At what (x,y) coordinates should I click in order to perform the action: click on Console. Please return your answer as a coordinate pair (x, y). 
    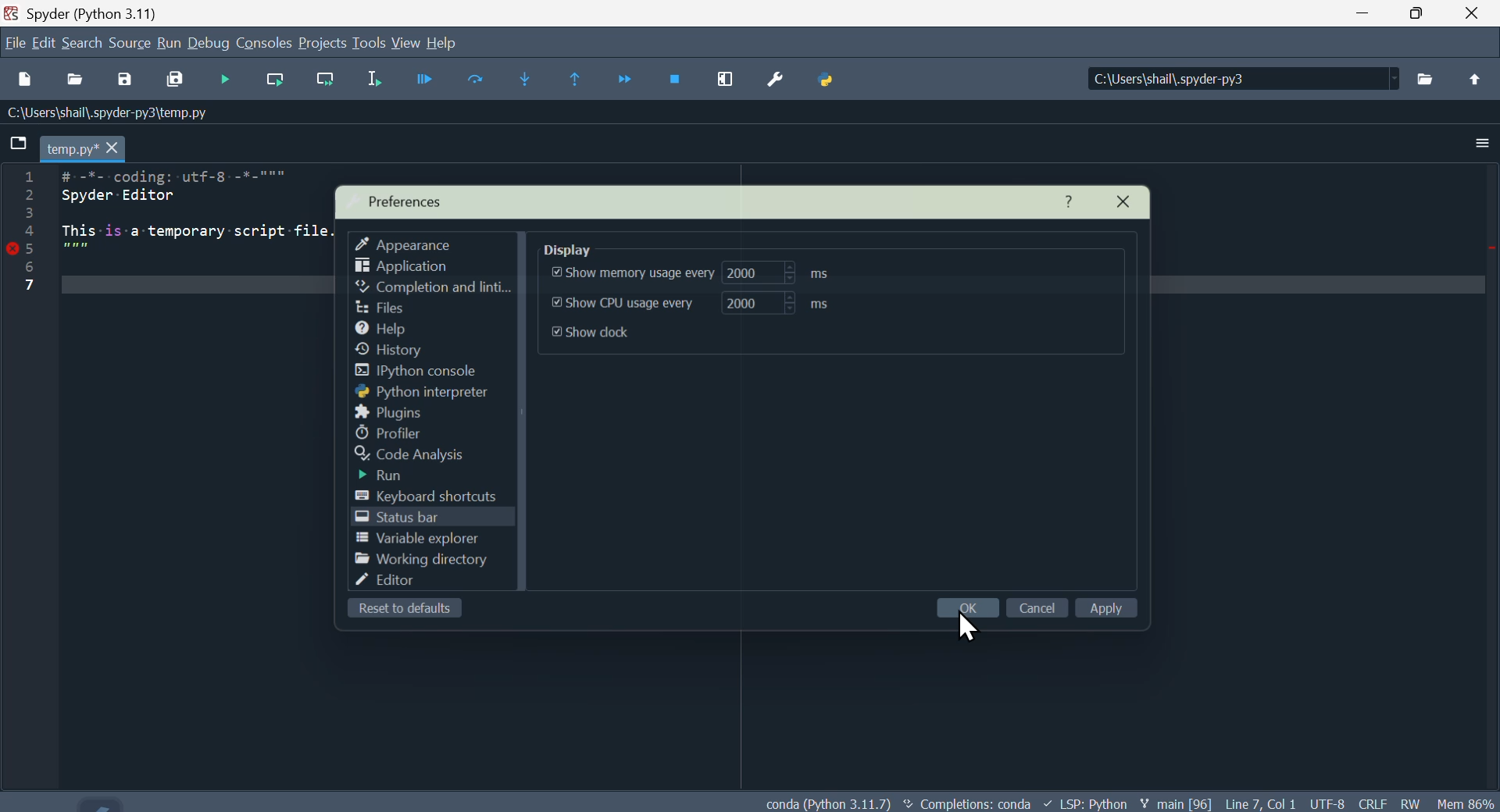
    Looking at the image, I should click on (266, 42).